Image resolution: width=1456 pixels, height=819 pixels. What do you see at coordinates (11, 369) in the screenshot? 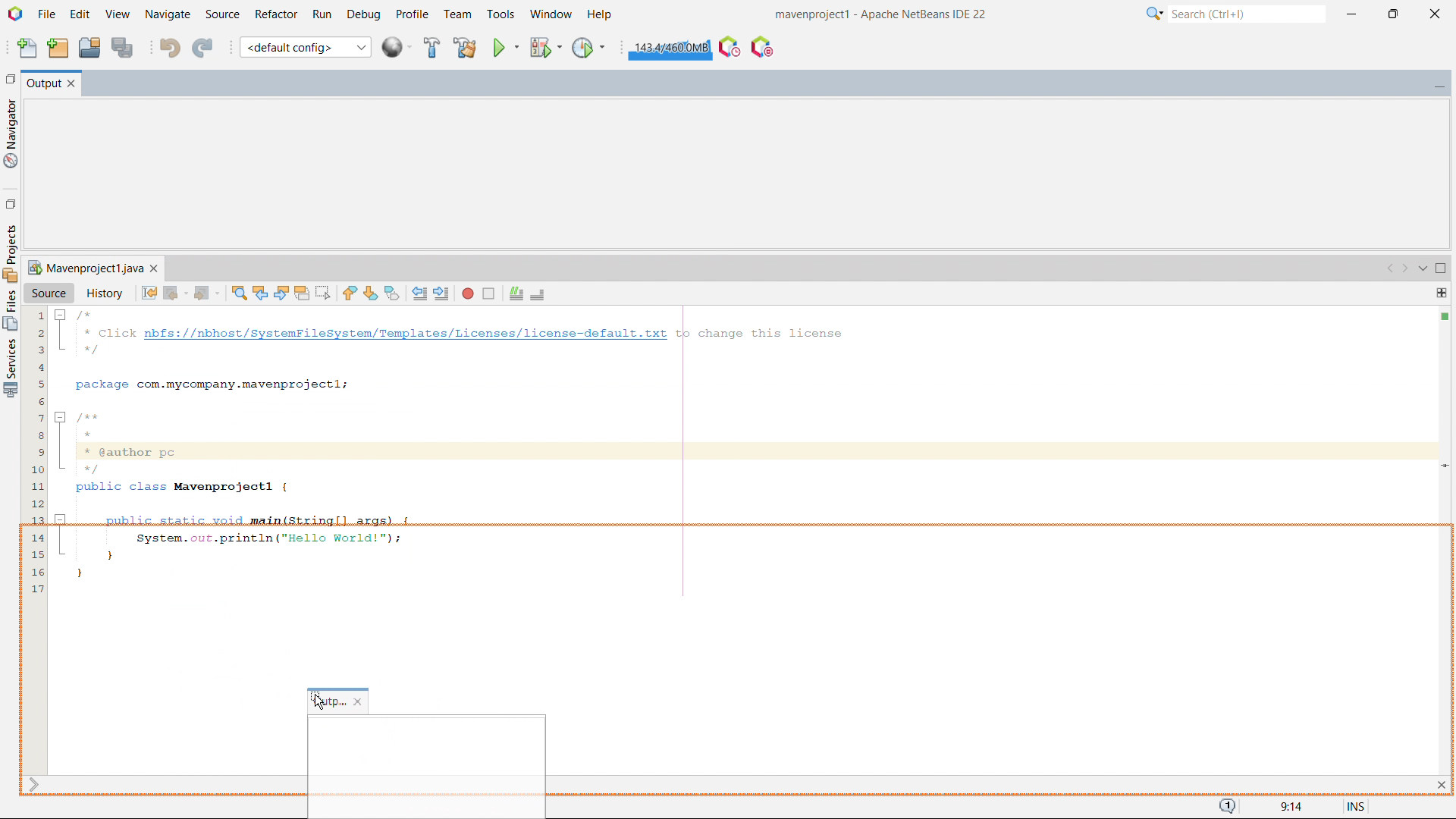
I see `projects` at bounding box center [11, 369].